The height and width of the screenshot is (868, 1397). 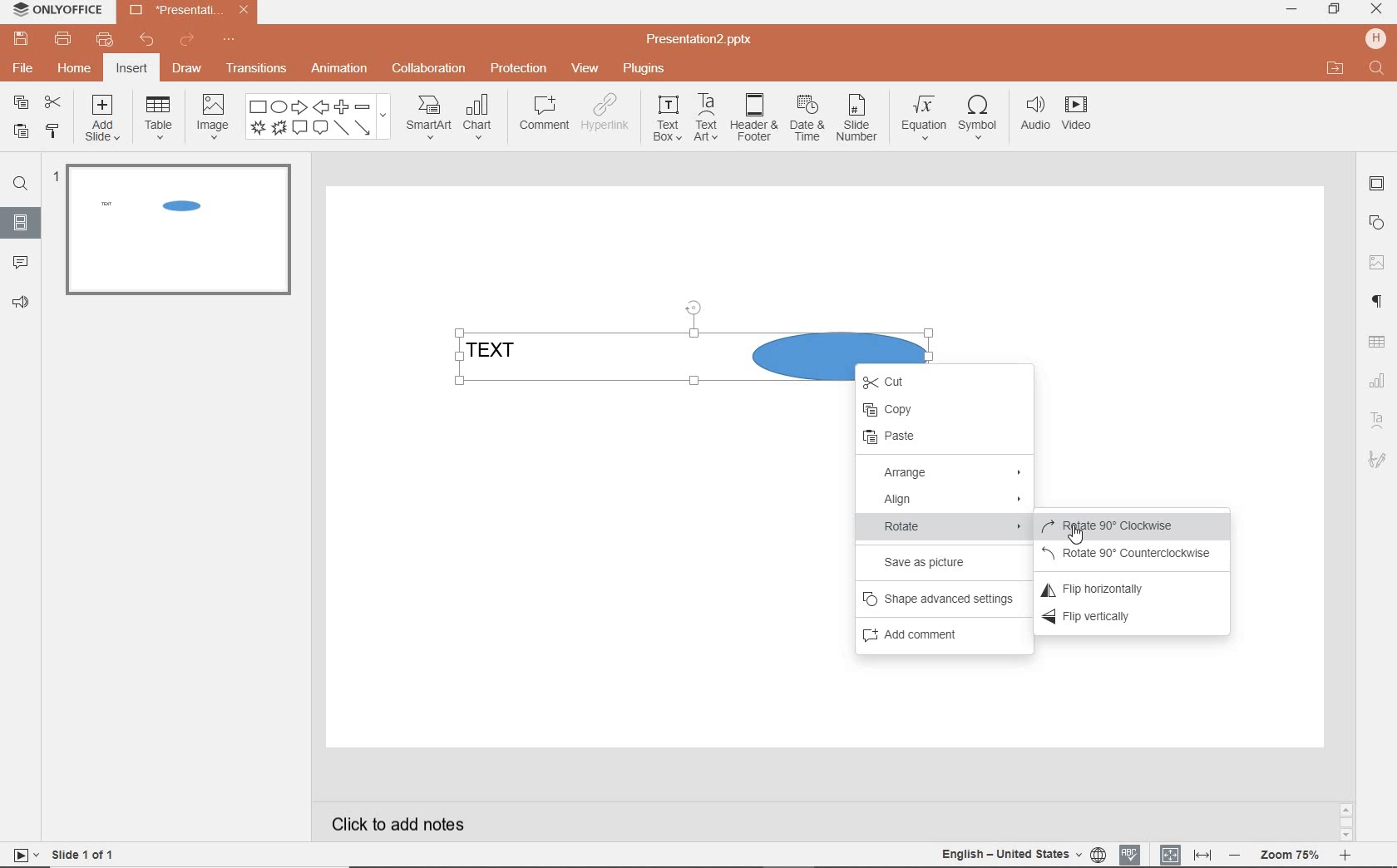 I want to click on Chart settings, so click(x=1376, y=380).